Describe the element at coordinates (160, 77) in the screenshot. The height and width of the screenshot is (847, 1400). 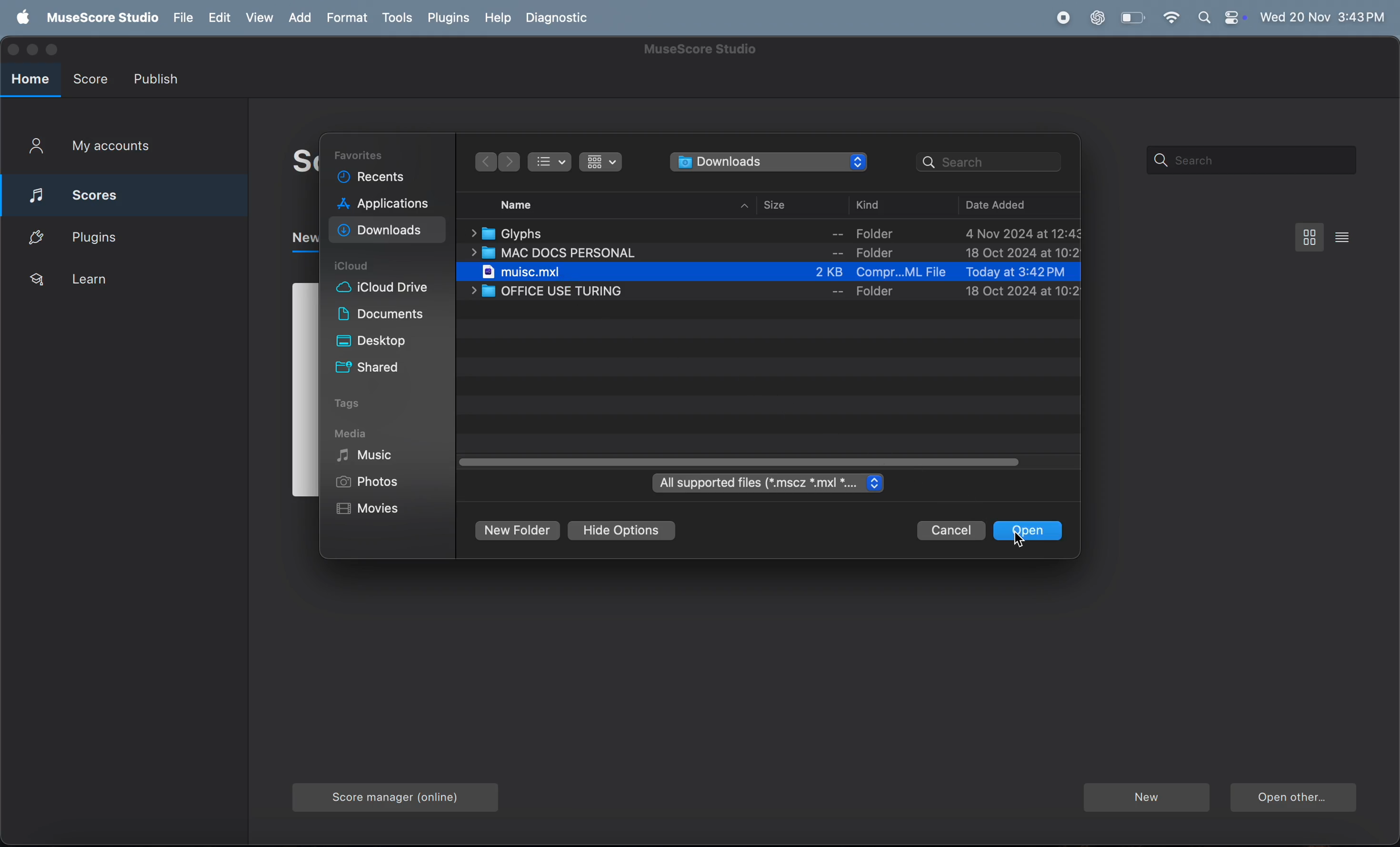
I see `publish` at that location.